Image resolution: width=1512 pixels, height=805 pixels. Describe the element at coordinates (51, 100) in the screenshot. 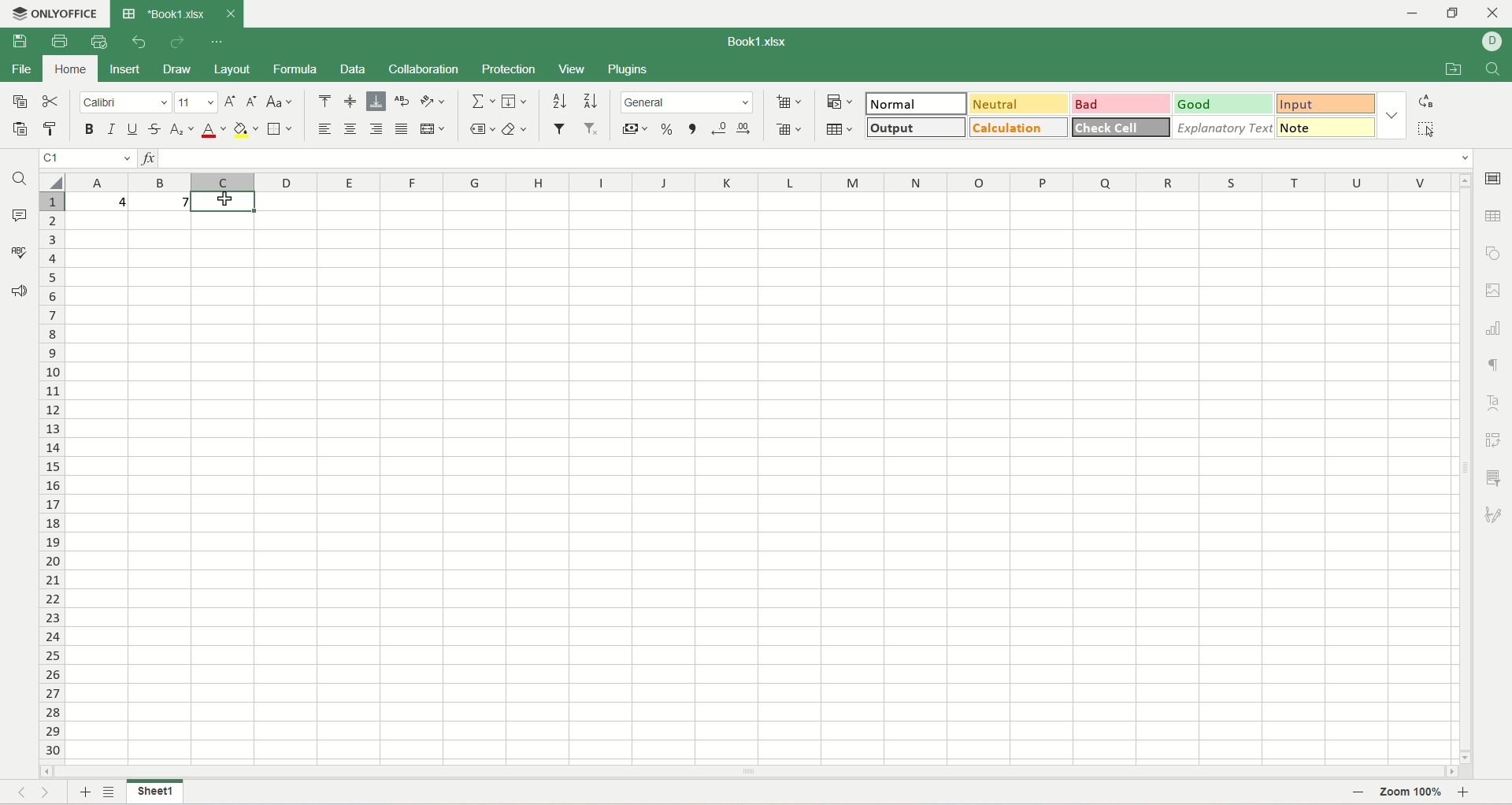

I see `cut` at that location.